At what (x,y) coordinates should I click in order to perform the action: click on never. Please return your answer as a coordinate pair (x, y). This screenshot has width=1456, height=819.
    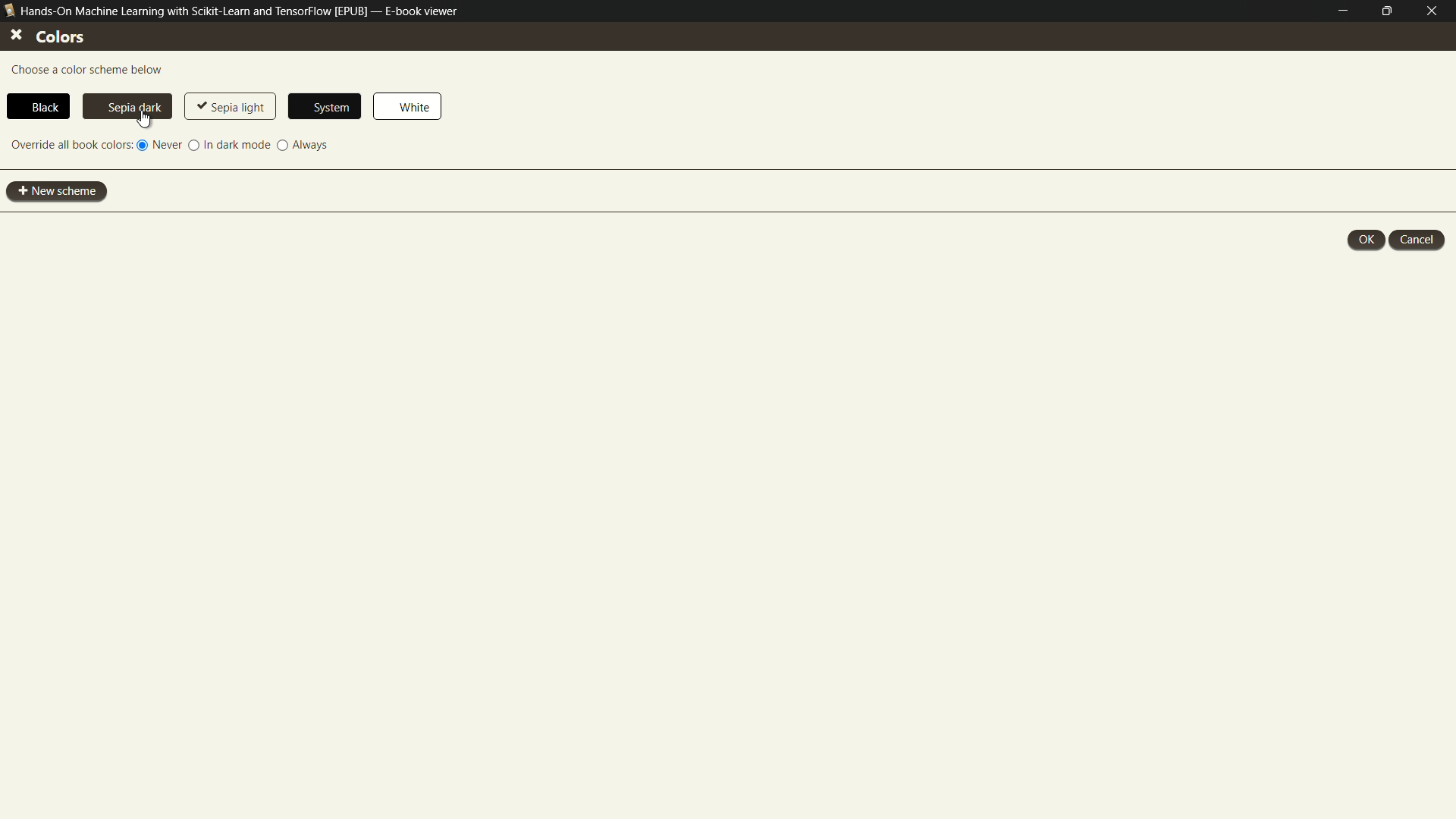
    Looking at the image, I should click on (161, 145).